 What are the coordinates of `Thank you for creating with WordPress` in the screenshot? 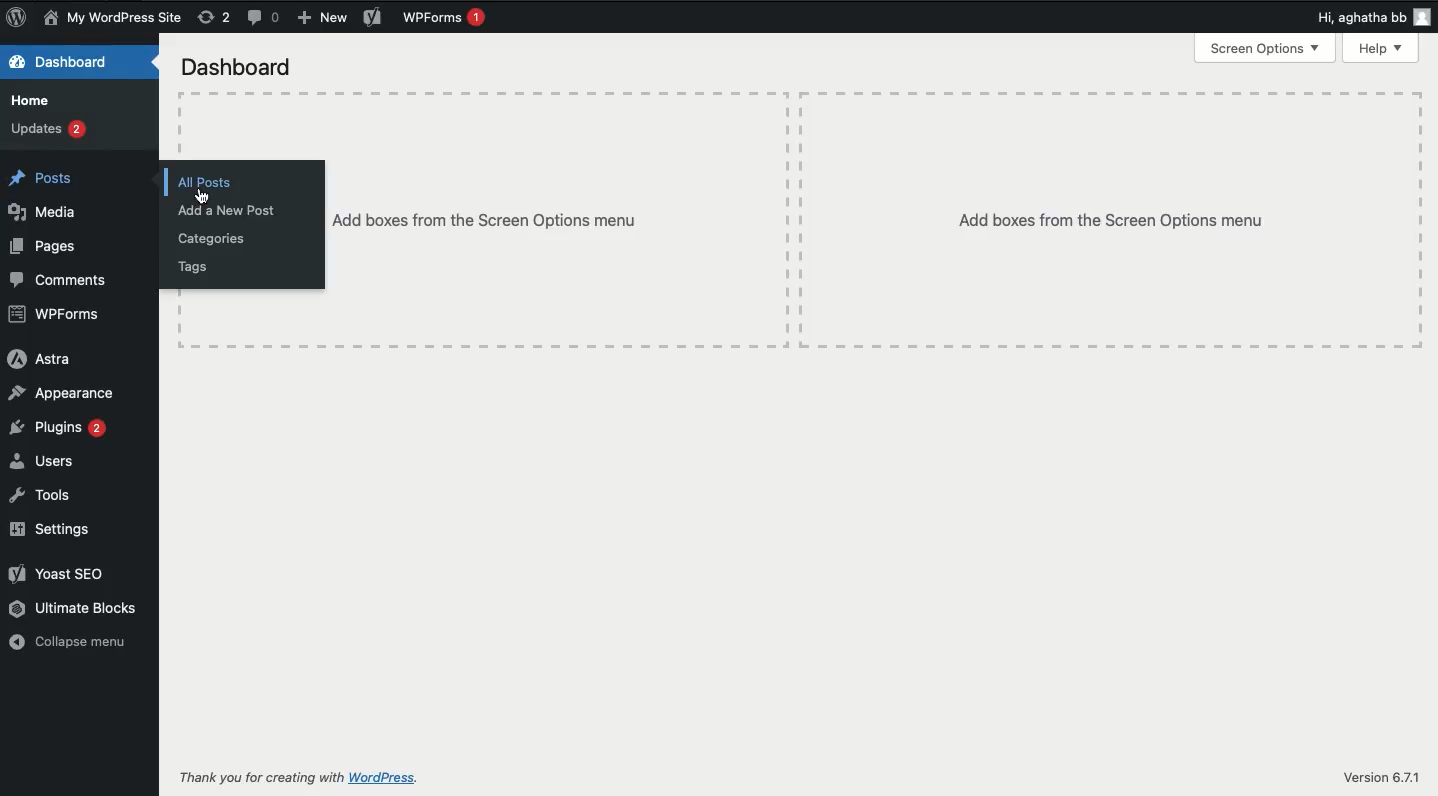 It's located at (259, 776).